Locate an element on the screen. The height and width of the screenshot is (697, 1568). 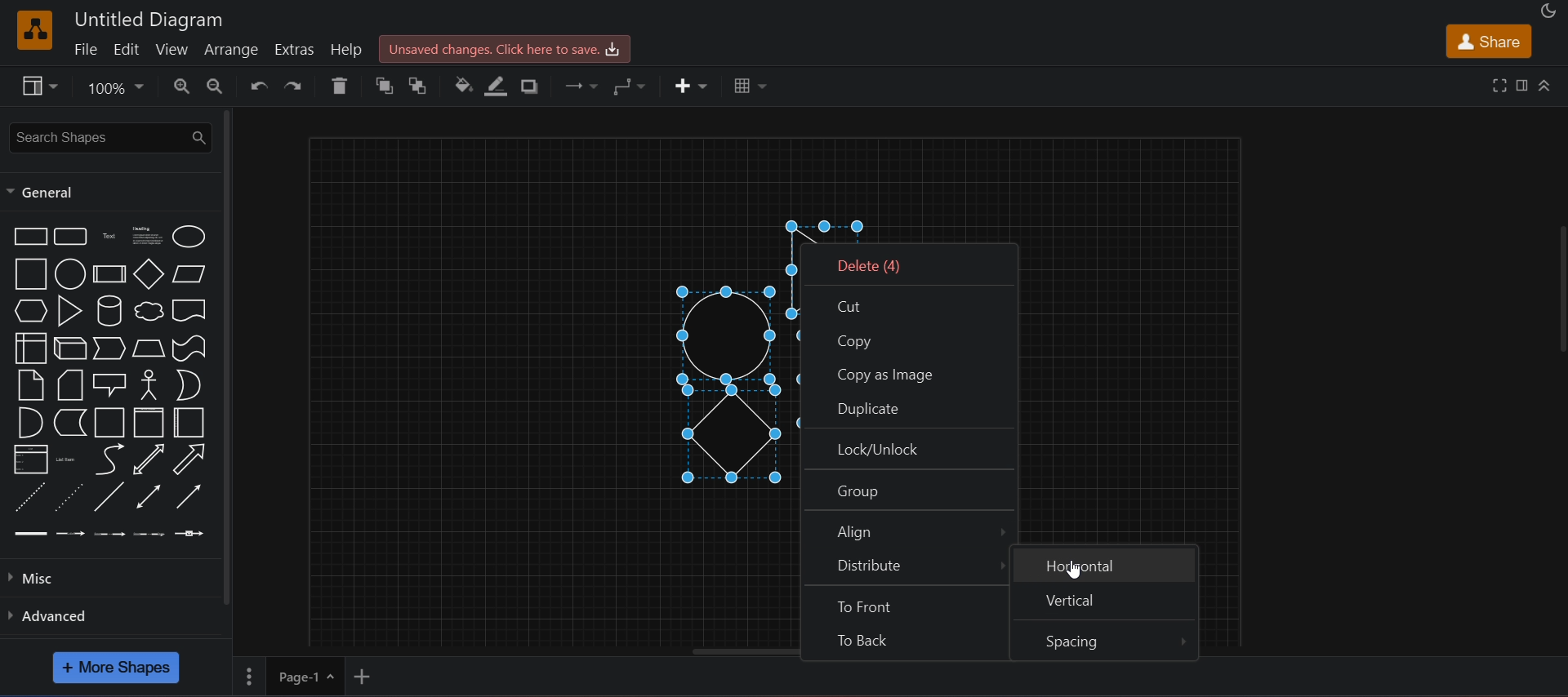
view is located at coordinates (42, 88).